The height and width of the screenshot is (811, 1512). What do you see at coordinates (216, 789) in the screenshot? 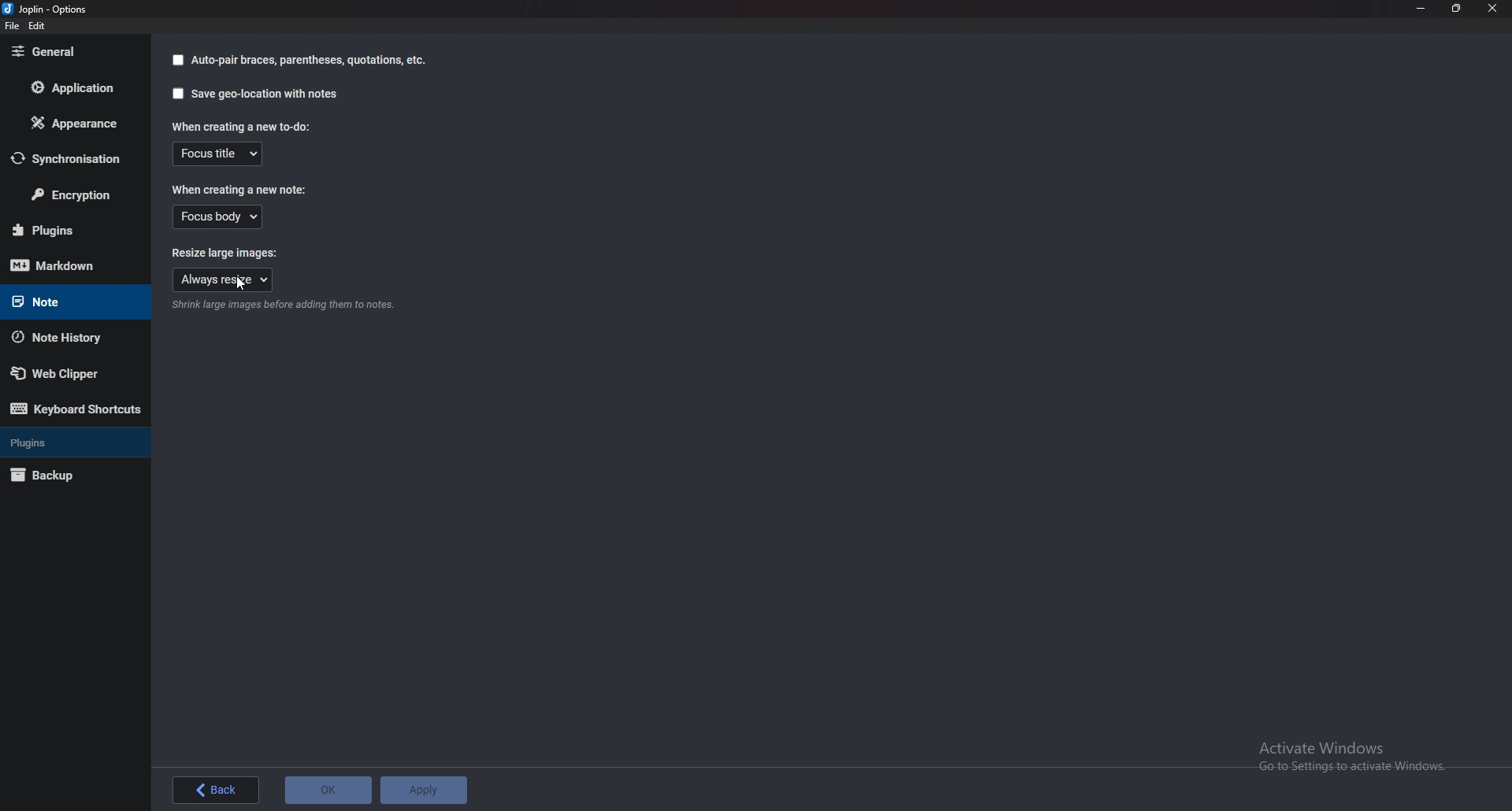
I see `Back` at bounding box center [216, 789].